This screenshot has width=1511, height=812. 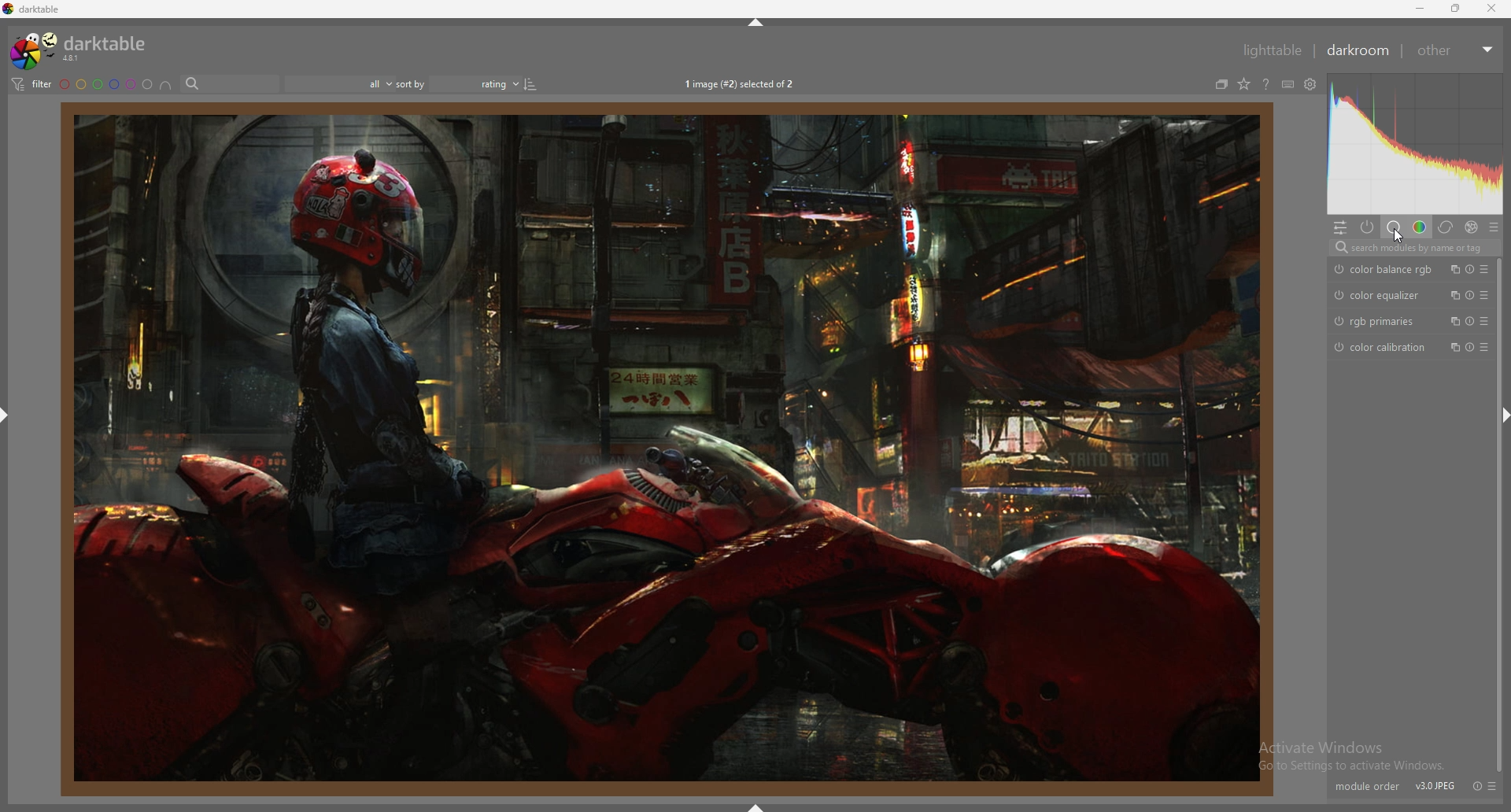 What do you see at coordinates (1358, 50) in the screenshot?
I see `darkroom` at bounding box center [1358, 50].